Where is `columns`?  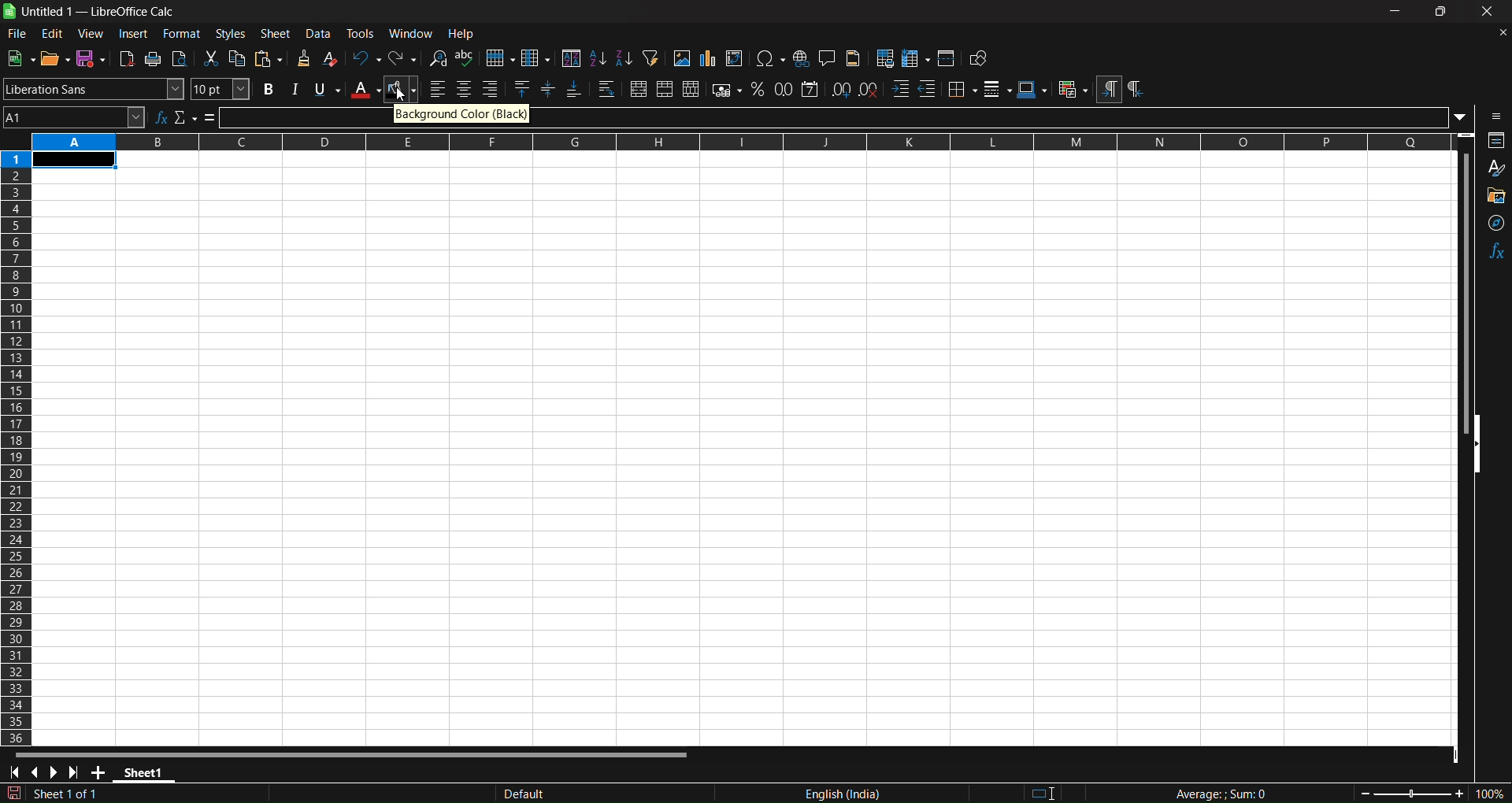 columns is located at coordinates (19, 455).